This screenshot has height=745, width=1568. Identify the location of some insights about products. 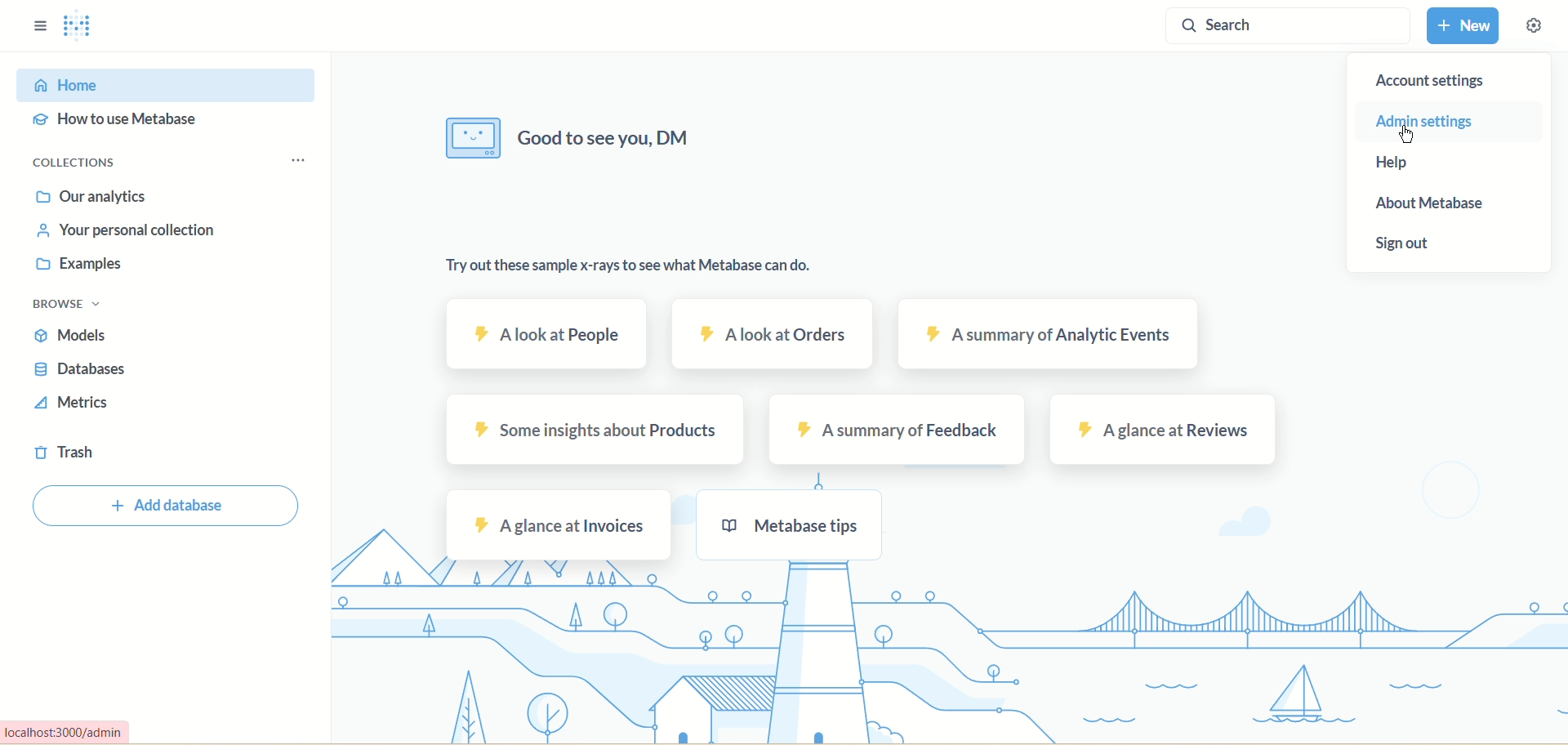
(596, 433).